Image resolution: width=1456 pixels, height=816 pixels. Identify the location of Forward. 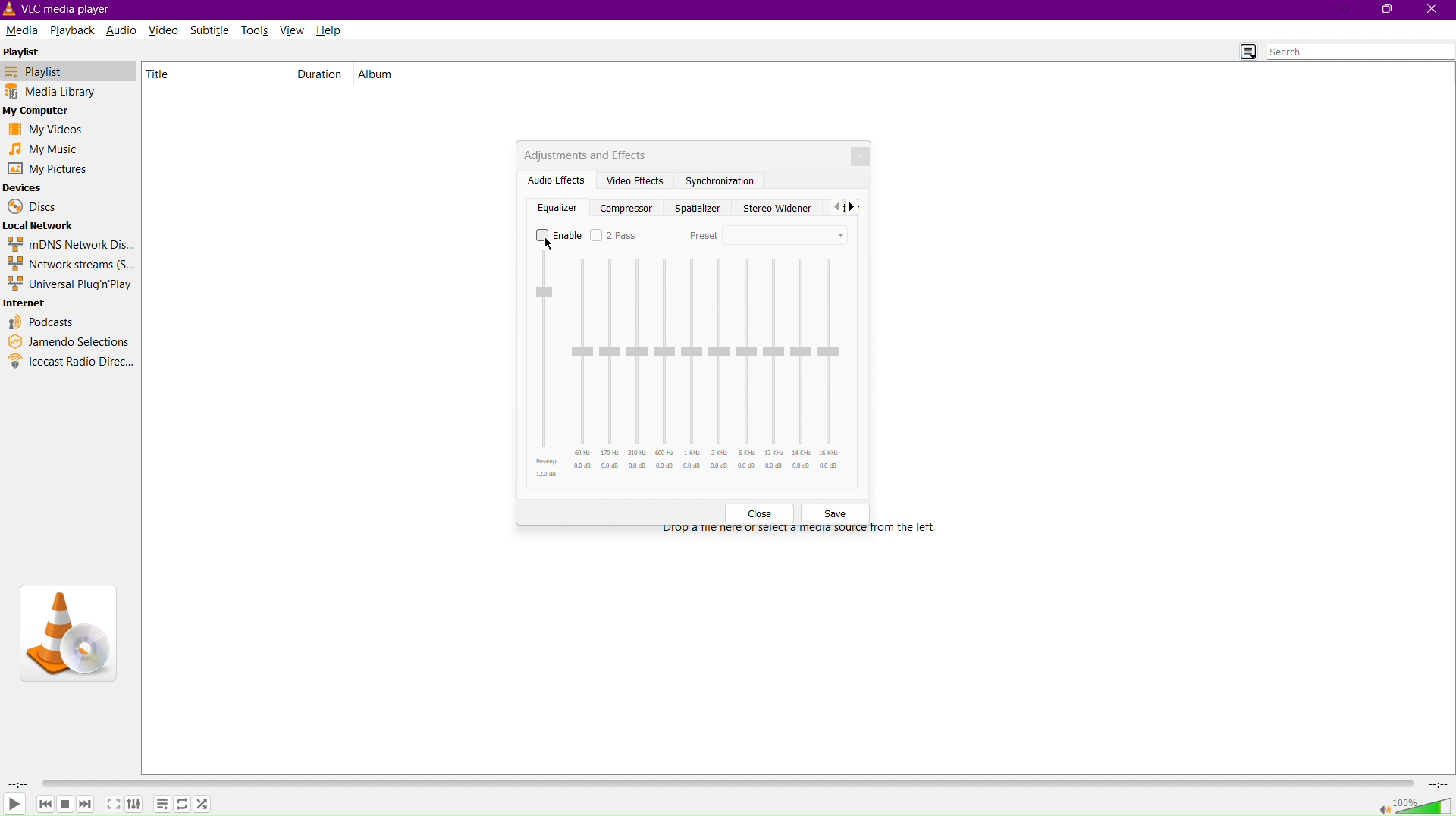
(87, 803).